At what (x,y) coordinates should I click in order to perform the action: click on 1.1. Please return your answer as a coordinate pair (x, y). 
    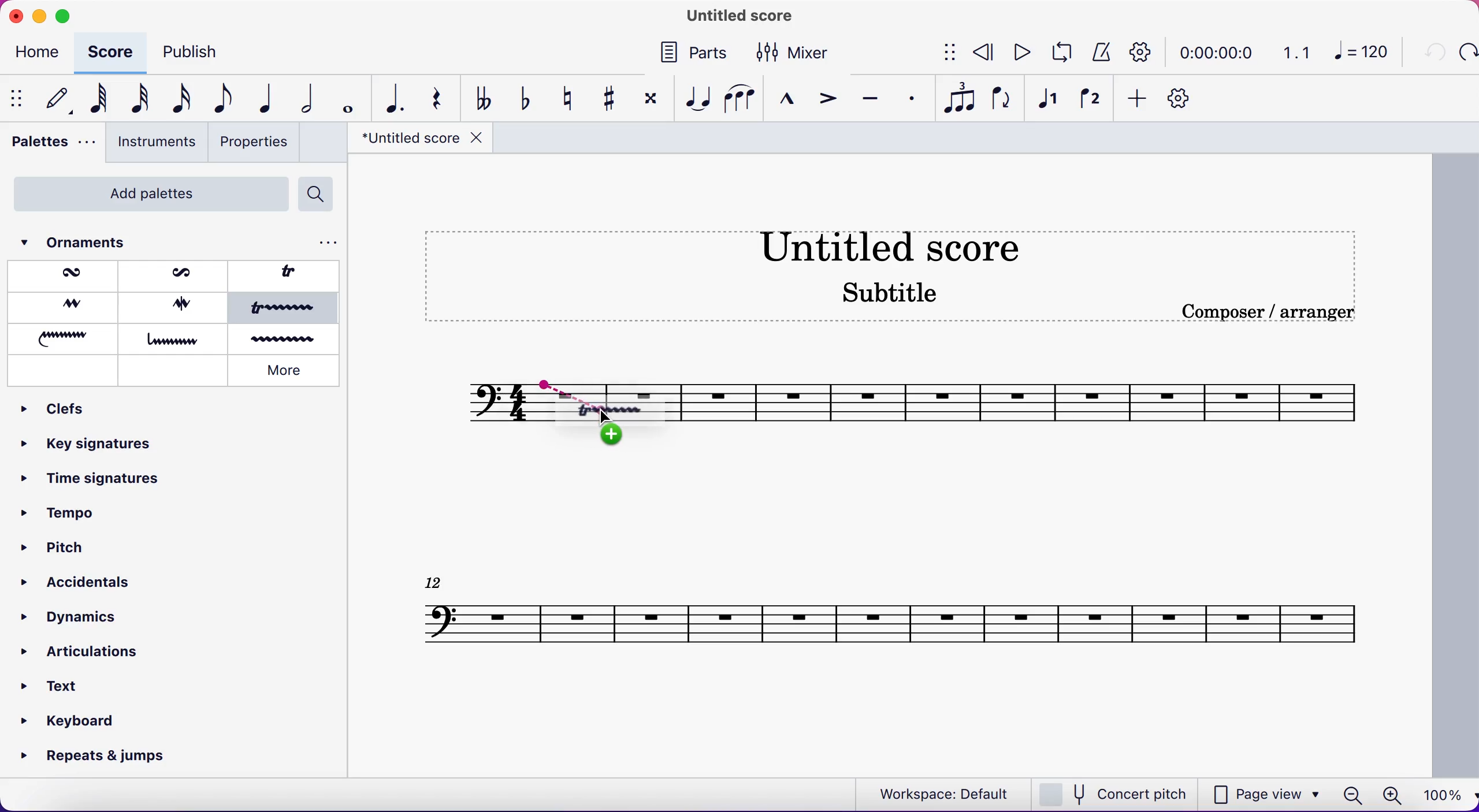
    Looking at the image, I should click on (1298, 52).